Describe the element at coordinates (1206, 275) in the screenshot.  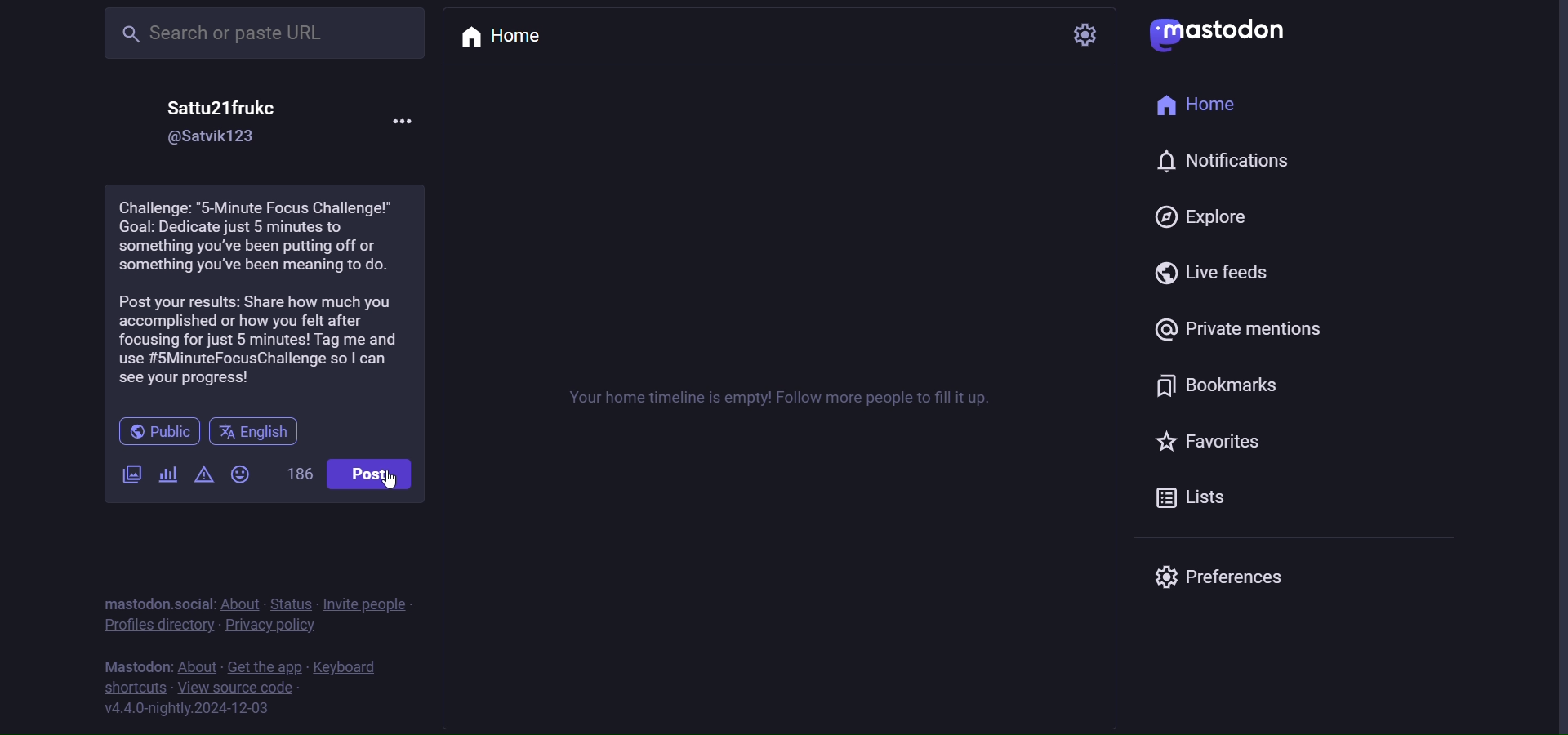
I see `live feed` at that location.